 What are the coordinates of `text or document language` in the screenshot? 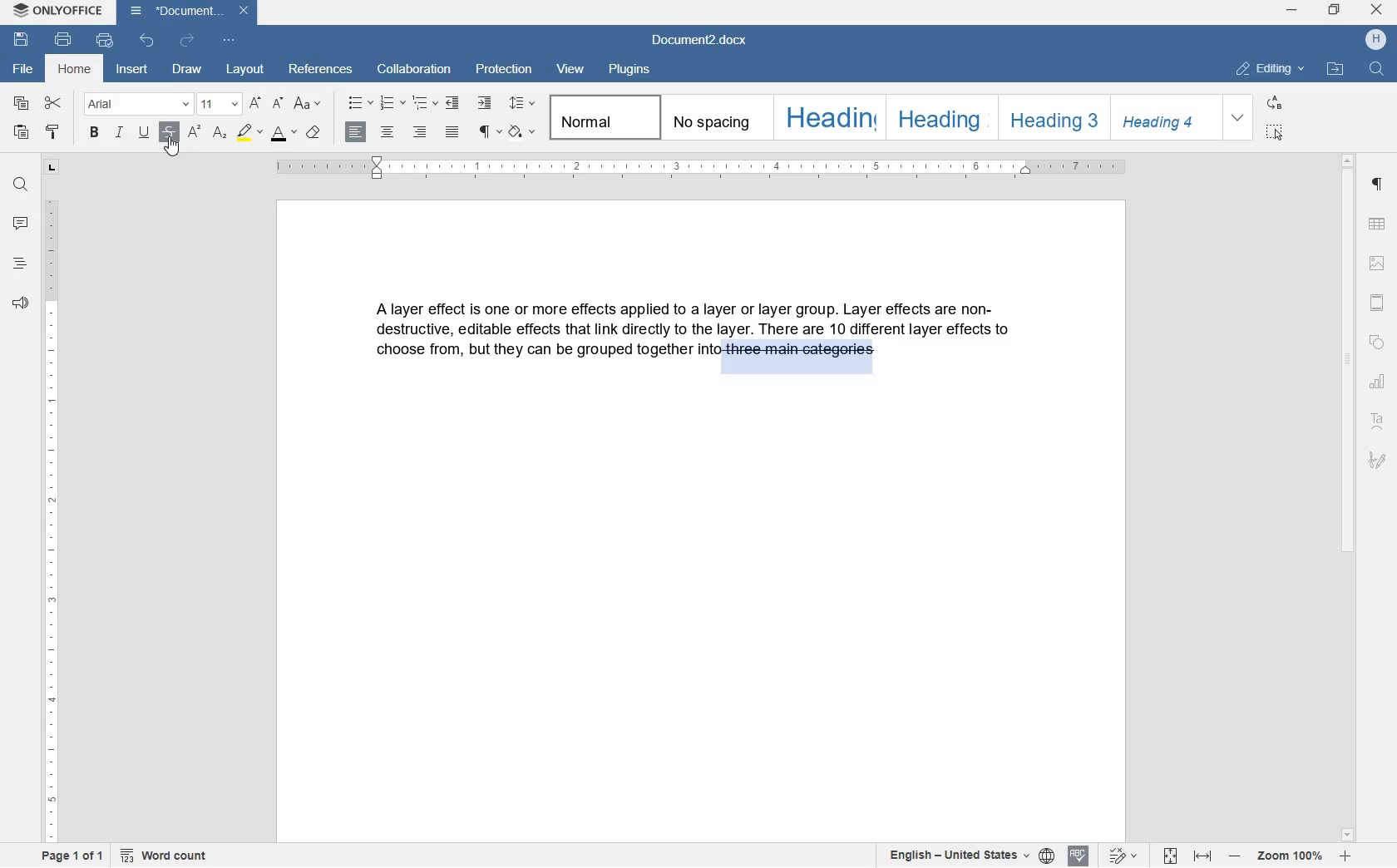 It's located at (961, 856).